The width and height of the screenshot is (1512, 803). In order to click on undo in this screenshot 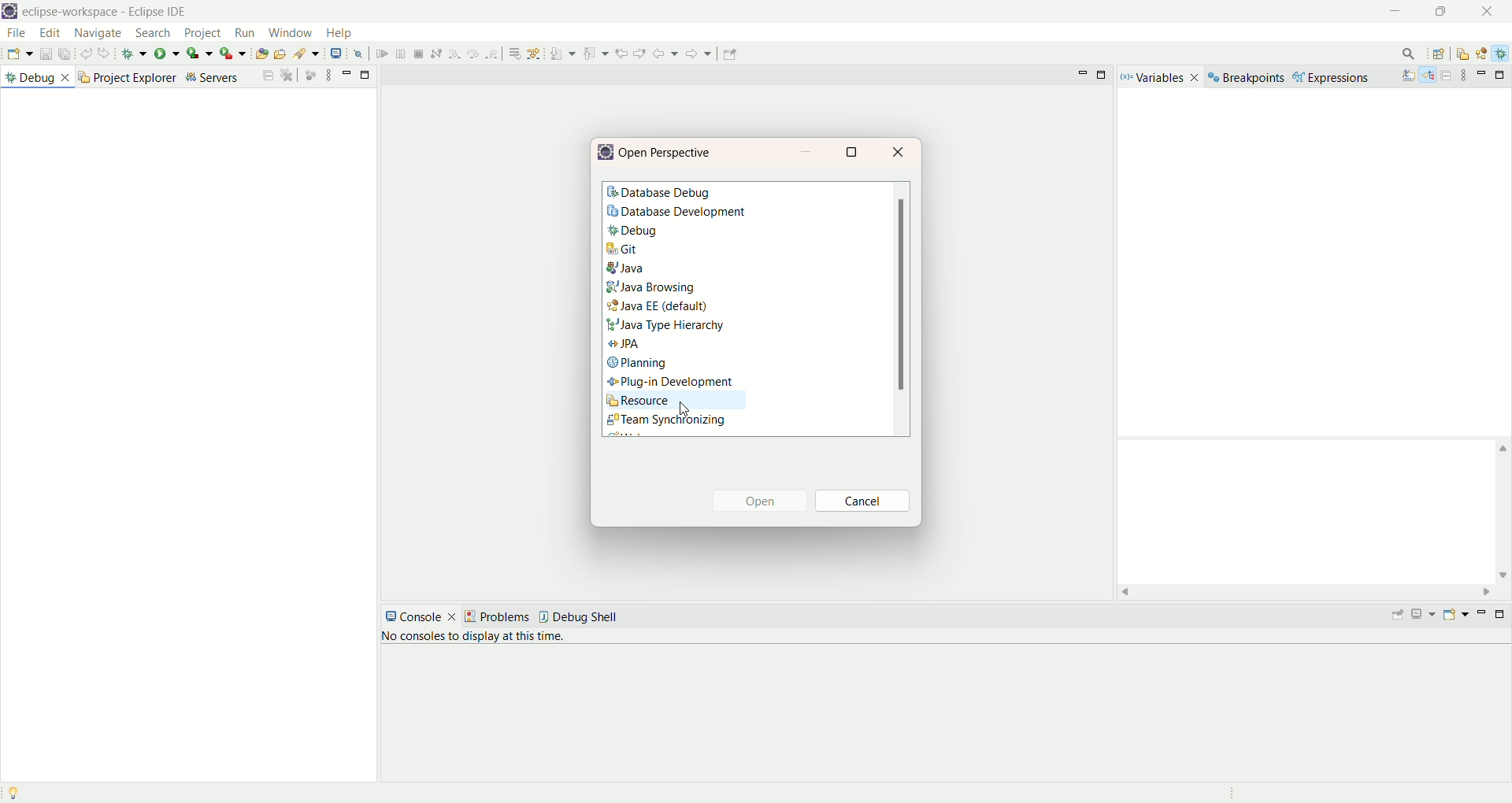, I will do `click(86, 54)`.